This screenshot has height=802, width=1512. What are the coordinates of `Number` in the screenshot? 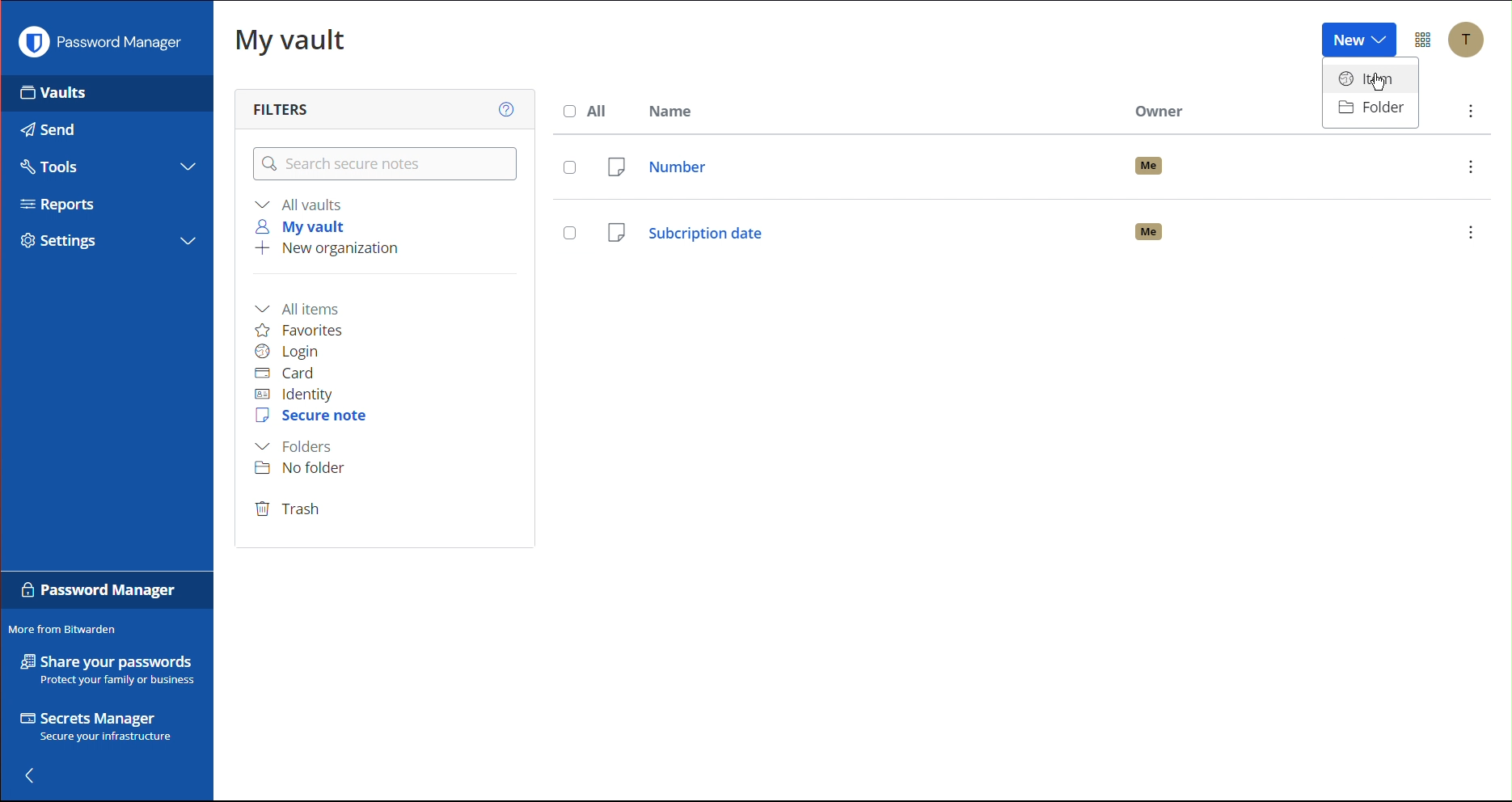 It's located at (1024, 163).